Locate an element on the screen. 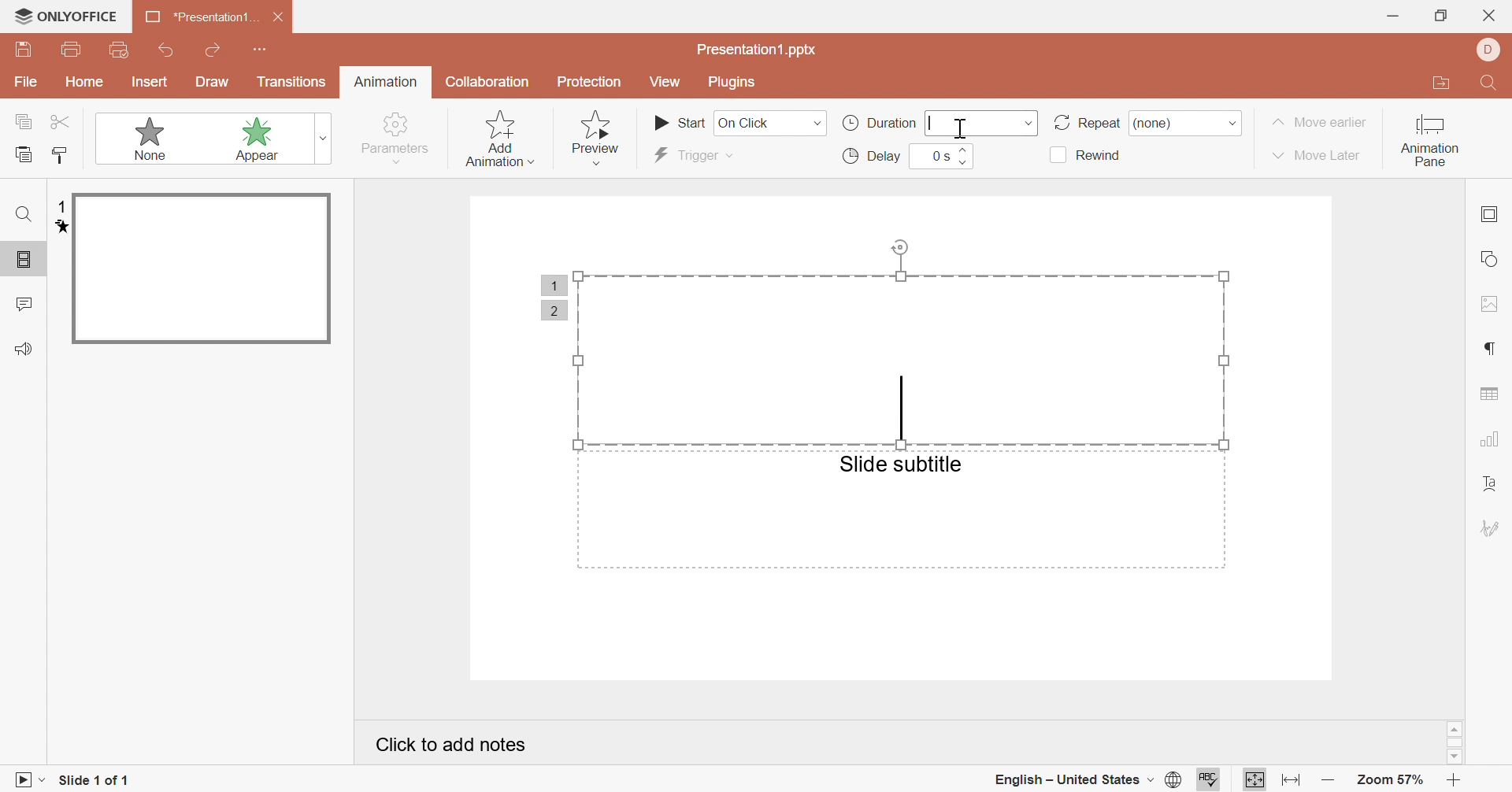 This screenshot has width=1512, height=792. text art settings is located at coordinates (1492, 486).